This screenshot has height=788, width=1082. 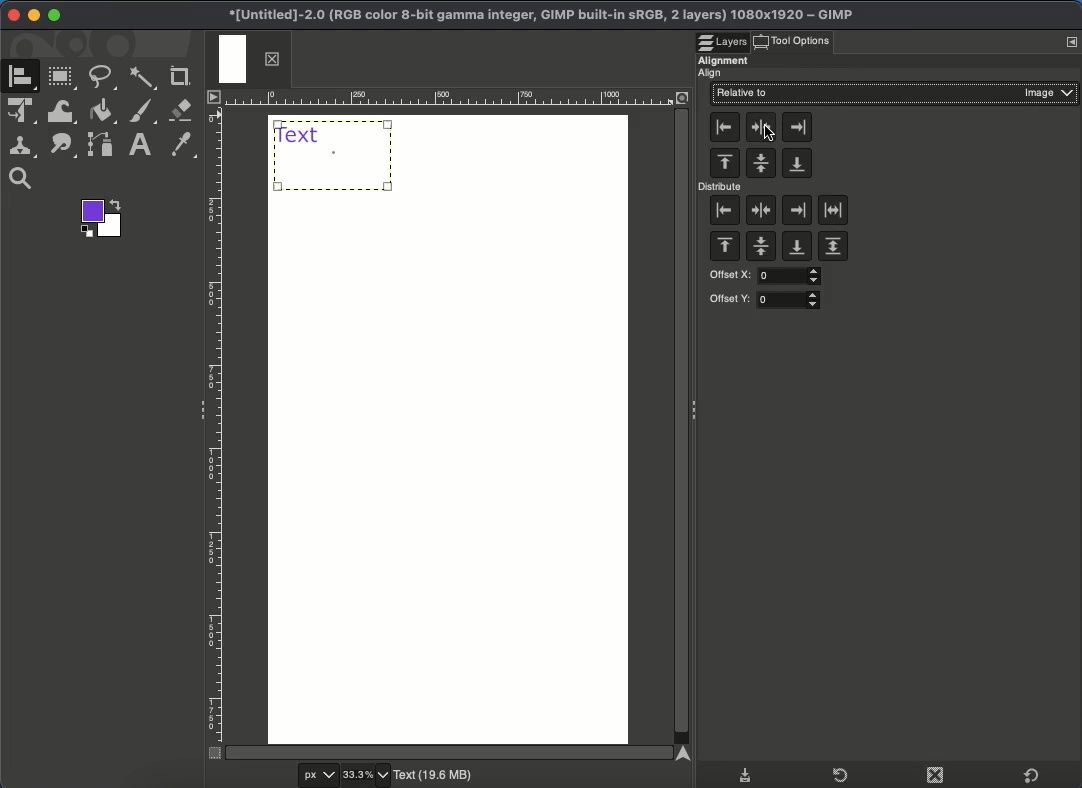 I want to click on Distribute vertical centers, so click(x=762, y=249).